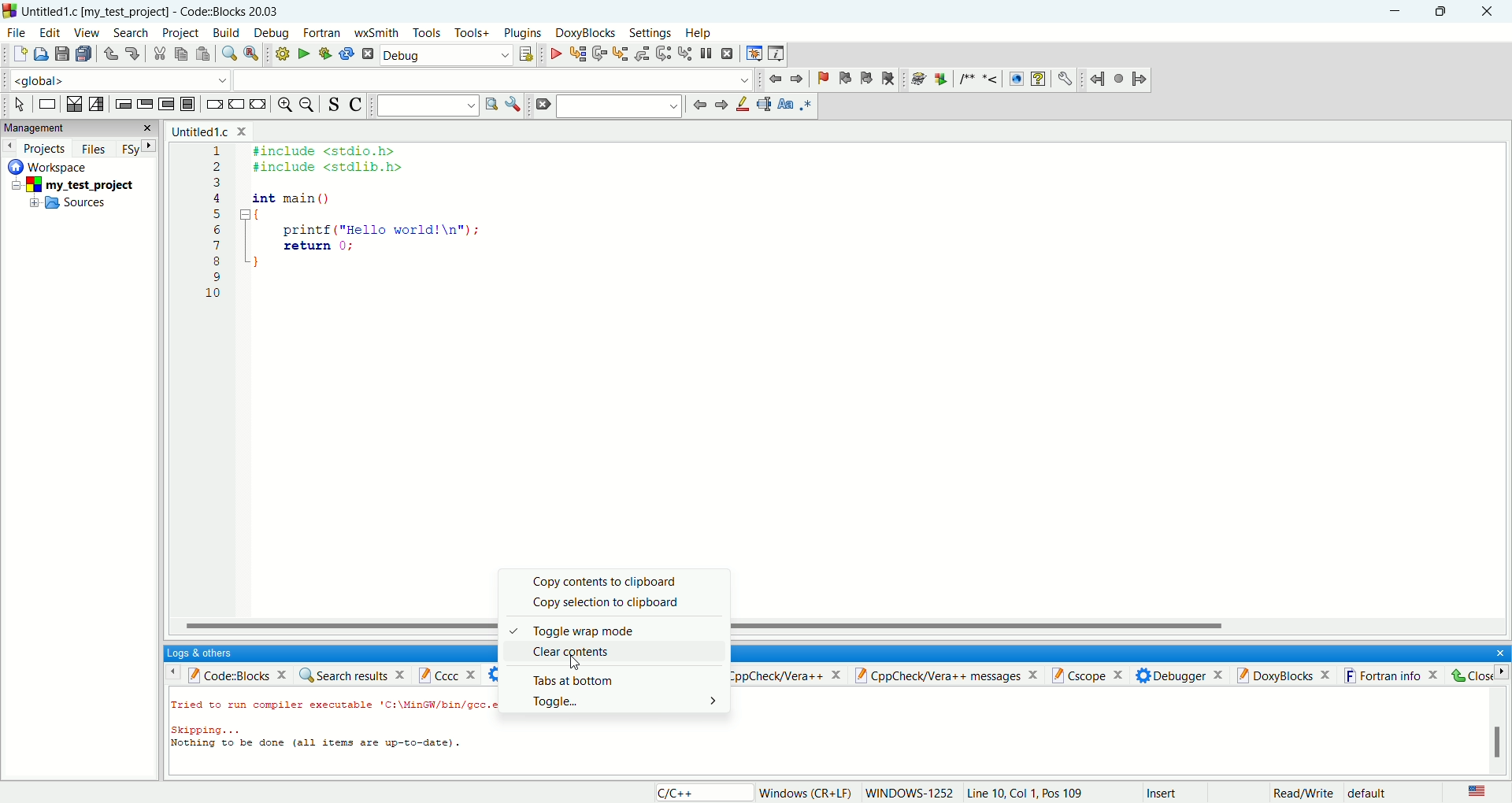  Describe the element at coordinates (335, 624) in the screenshot. I see `horizontal scroll bar` at that location.